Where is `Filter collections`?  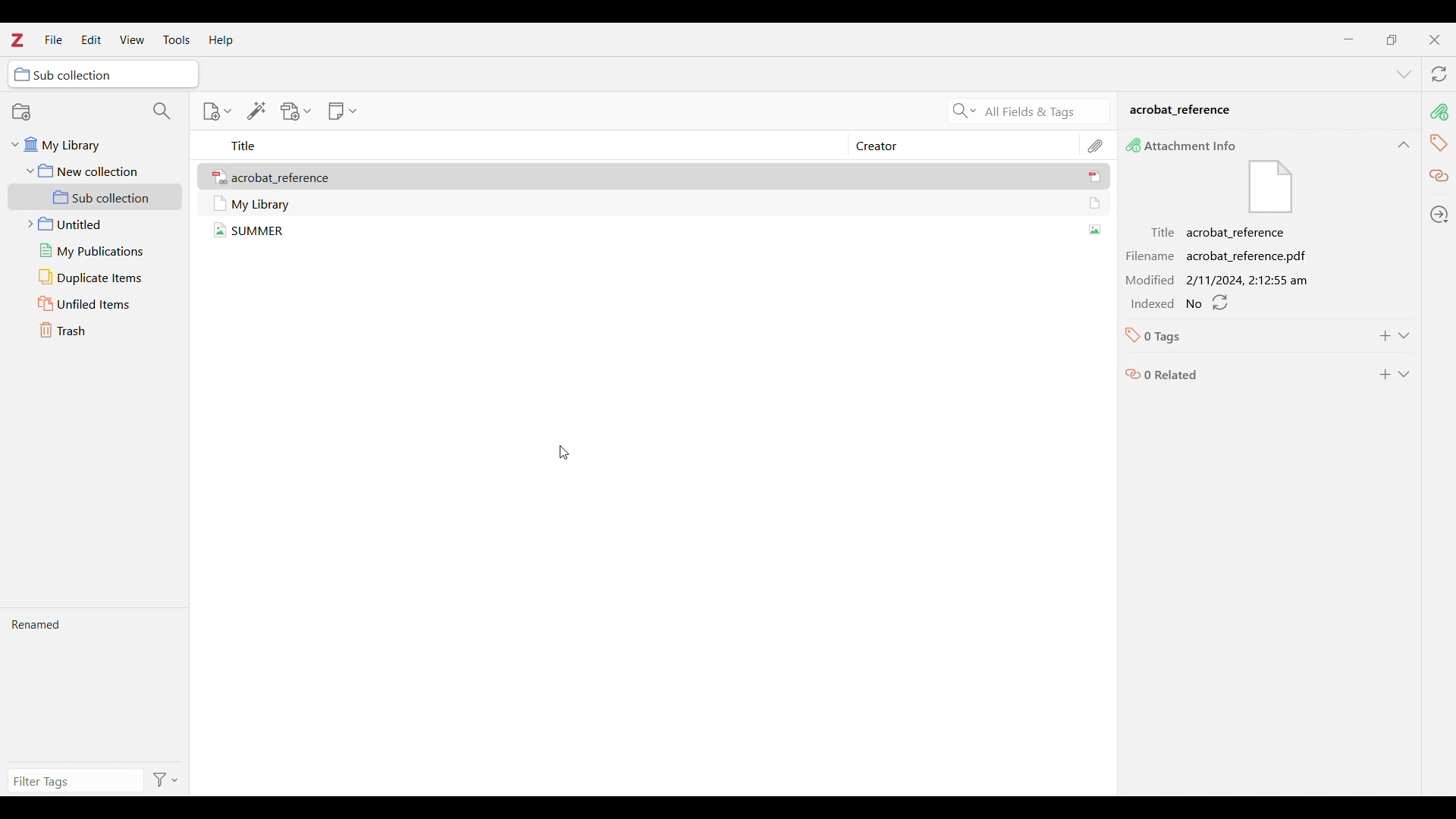
Filter collections is located at coordinates (162, 111).